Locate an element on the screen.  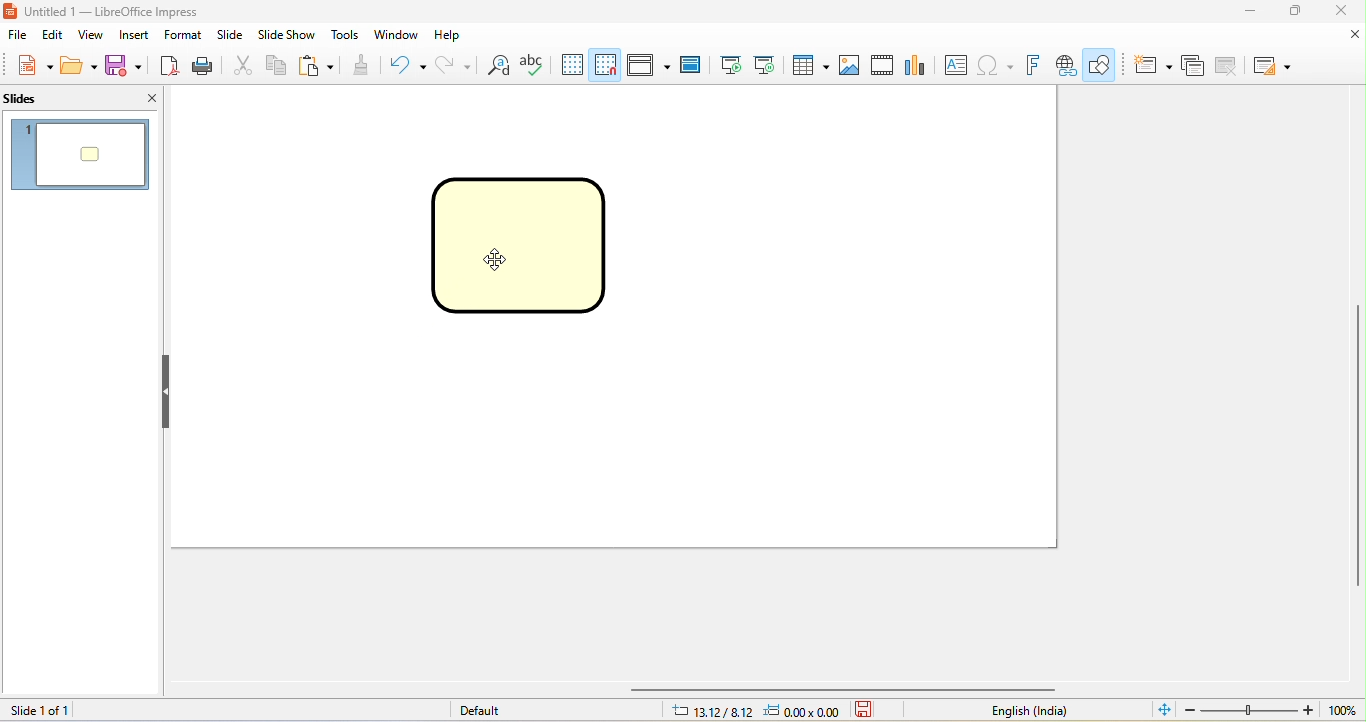
tools is located at coordinates (345, 36).